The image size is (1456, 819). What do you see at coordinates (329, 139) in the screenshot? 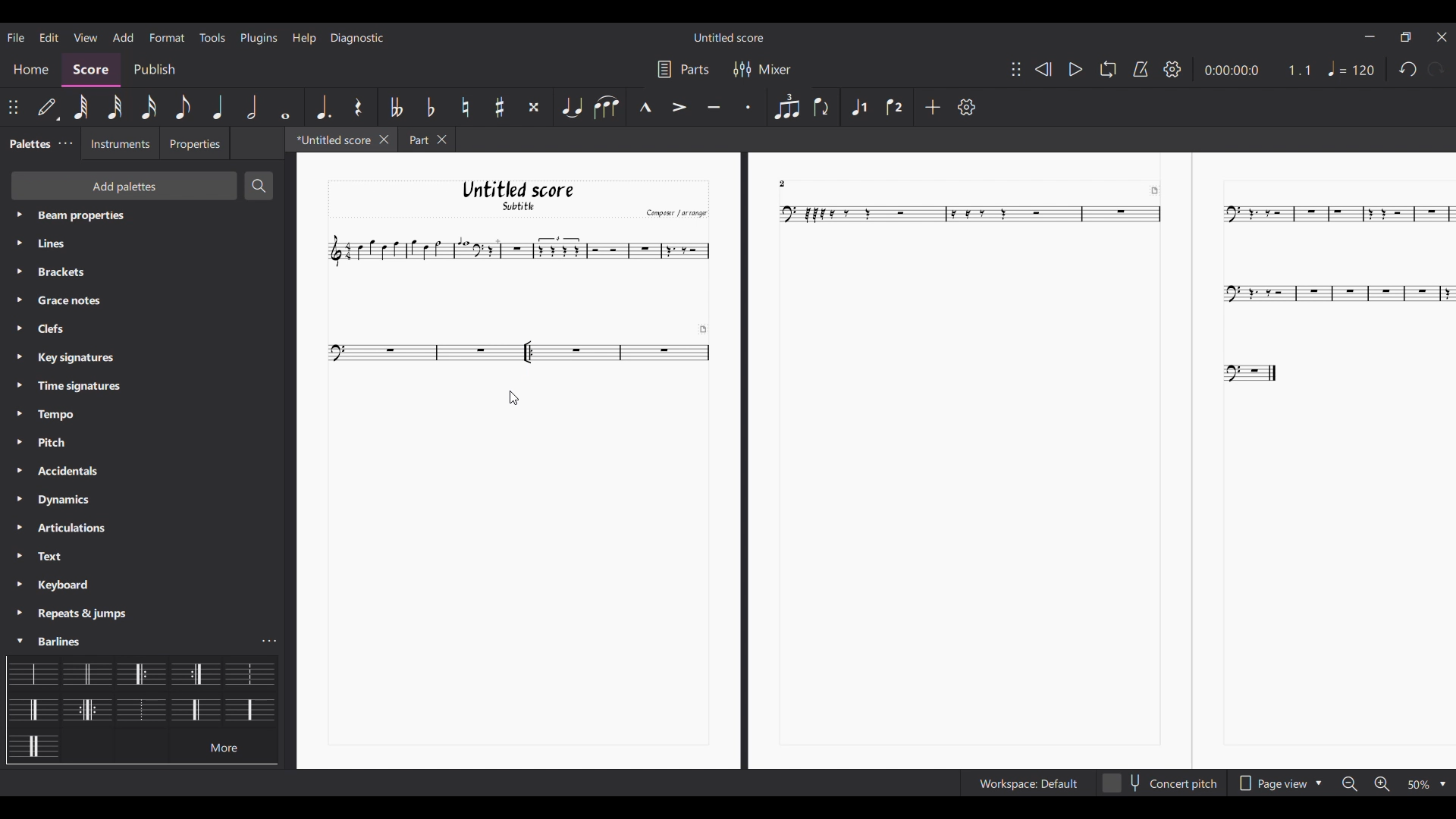
I see `Current tab` at bounding box center [329, 139].